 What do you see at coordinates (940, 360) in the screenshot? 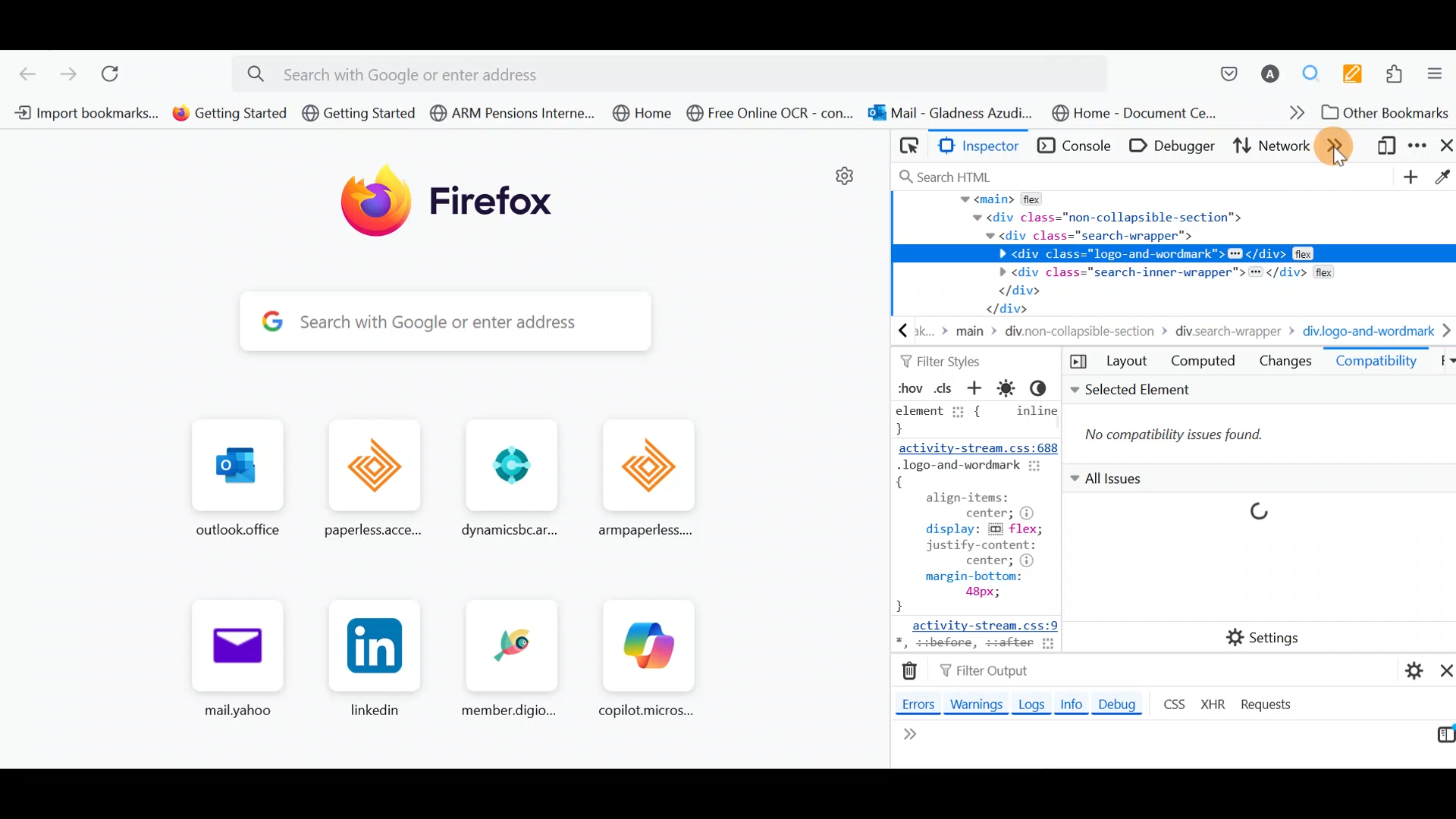
I see `Filter styles` at bounding box center [940, 360].